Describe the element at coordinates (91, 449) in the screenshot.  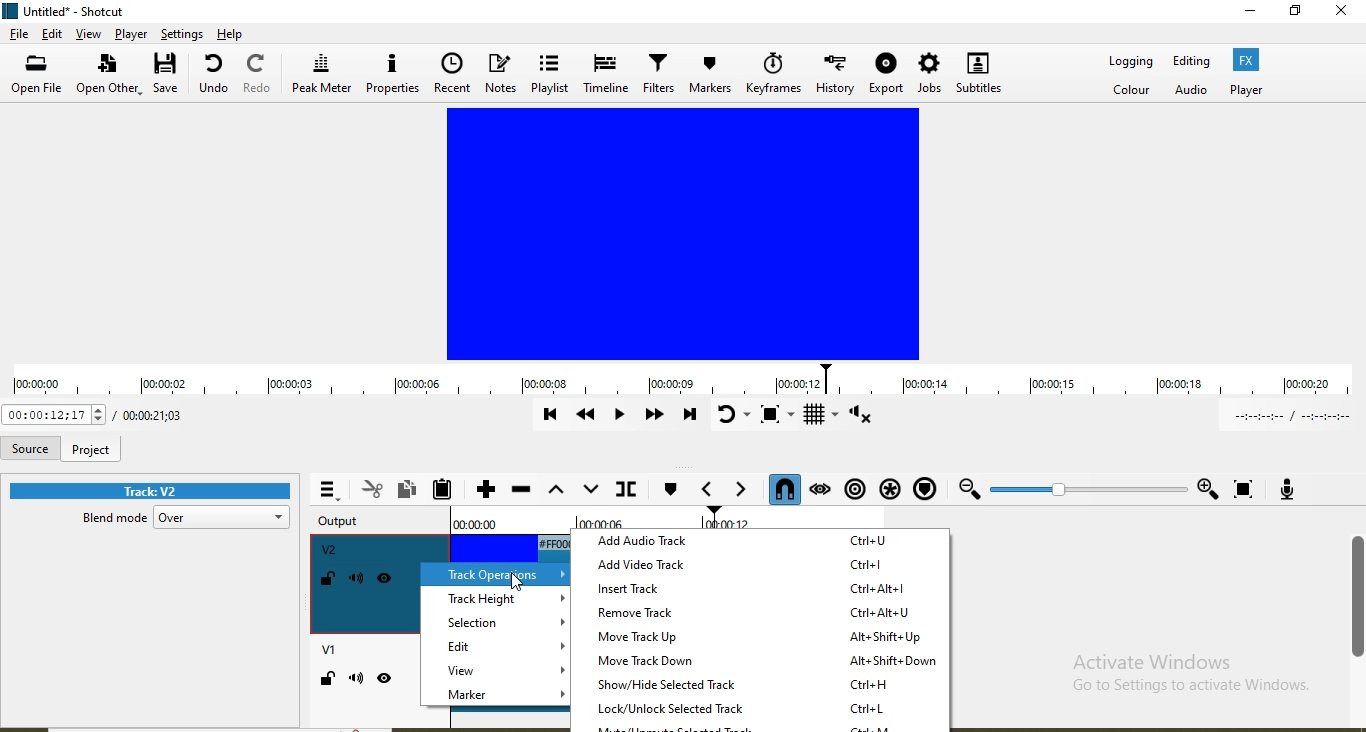
I see `project` at that location.